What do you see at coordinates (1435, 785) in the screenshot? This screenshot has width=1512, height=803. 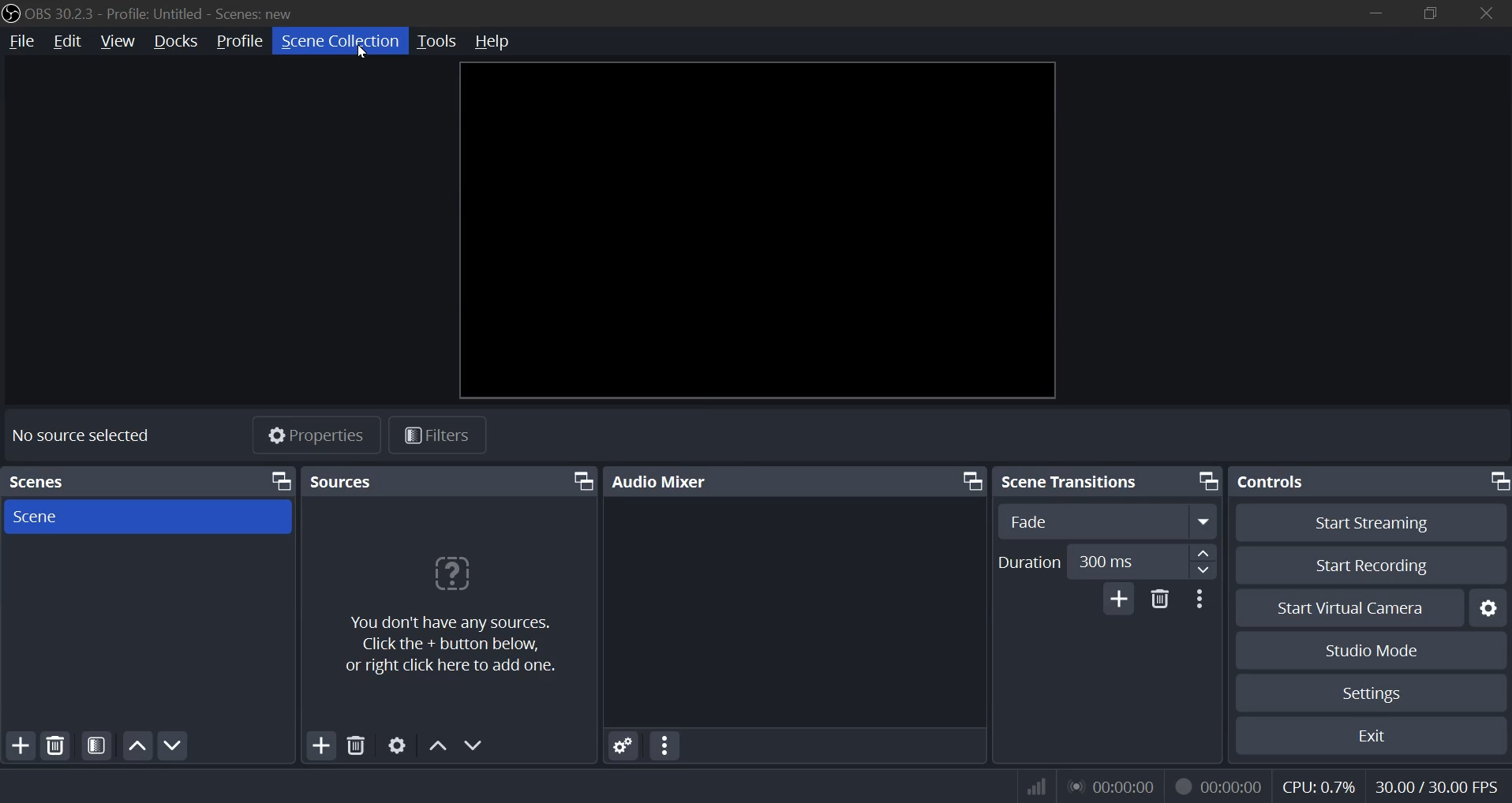 I see `fps indicator` at bounding box center [1435, 785].